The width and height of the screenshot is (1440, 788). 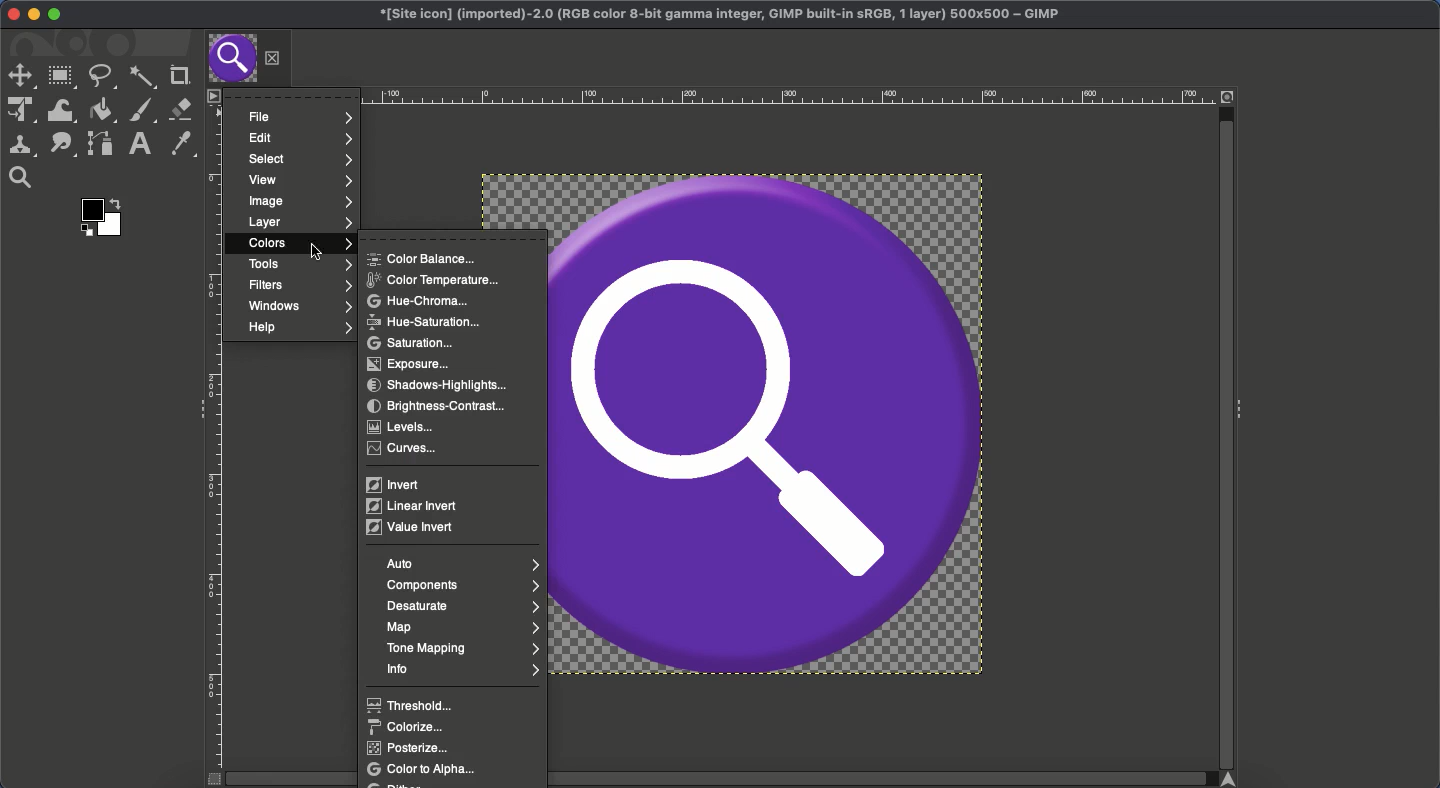 What do you see at coordinates (425, 301) in the screenshot?
I see `Hue chroma` at bounding box center [425, 301].